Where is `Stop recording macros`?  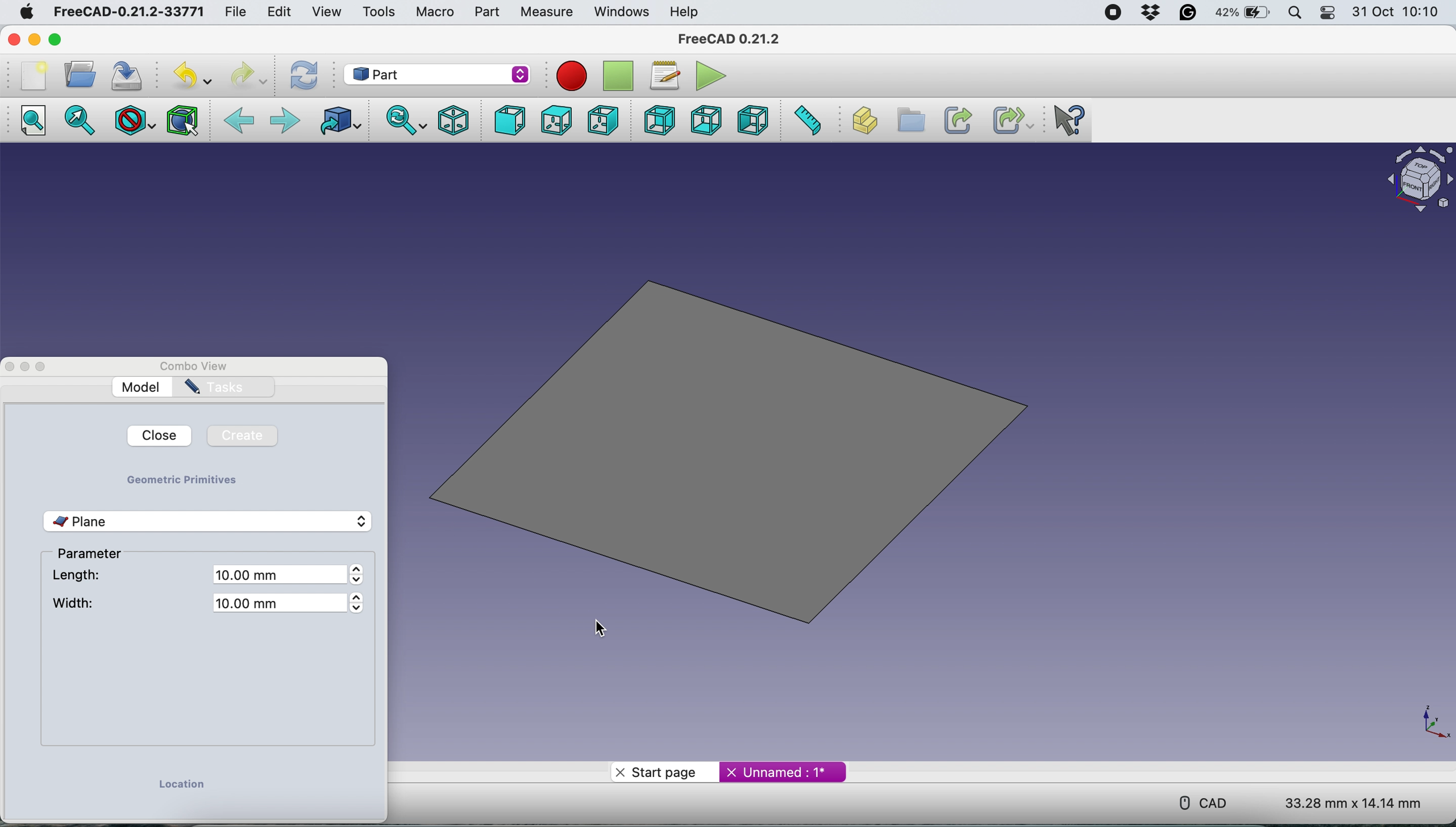 Stop recording macros is located at coordinates (620, 77).